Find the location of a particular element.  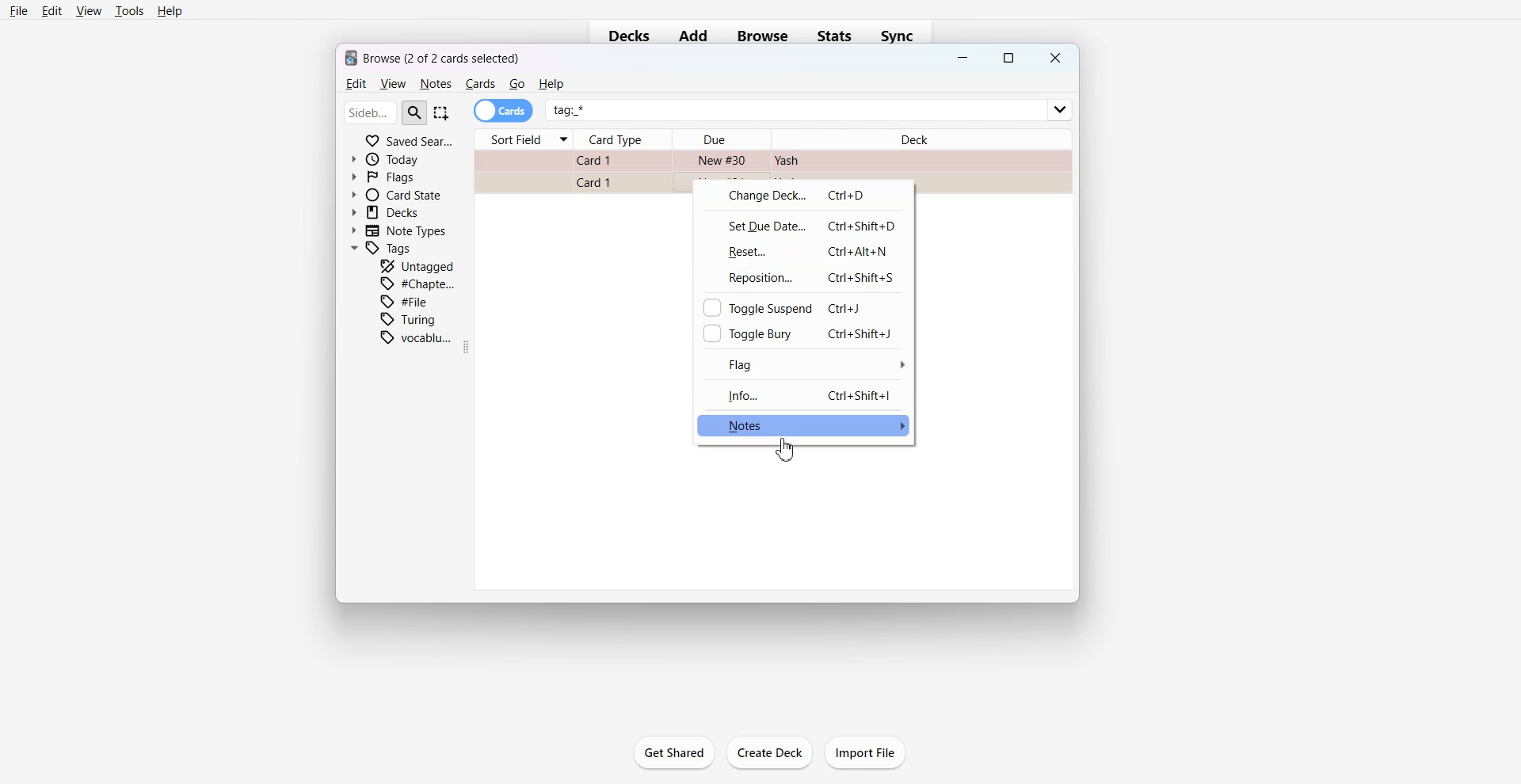

Info is located at coordinates (803, 394).